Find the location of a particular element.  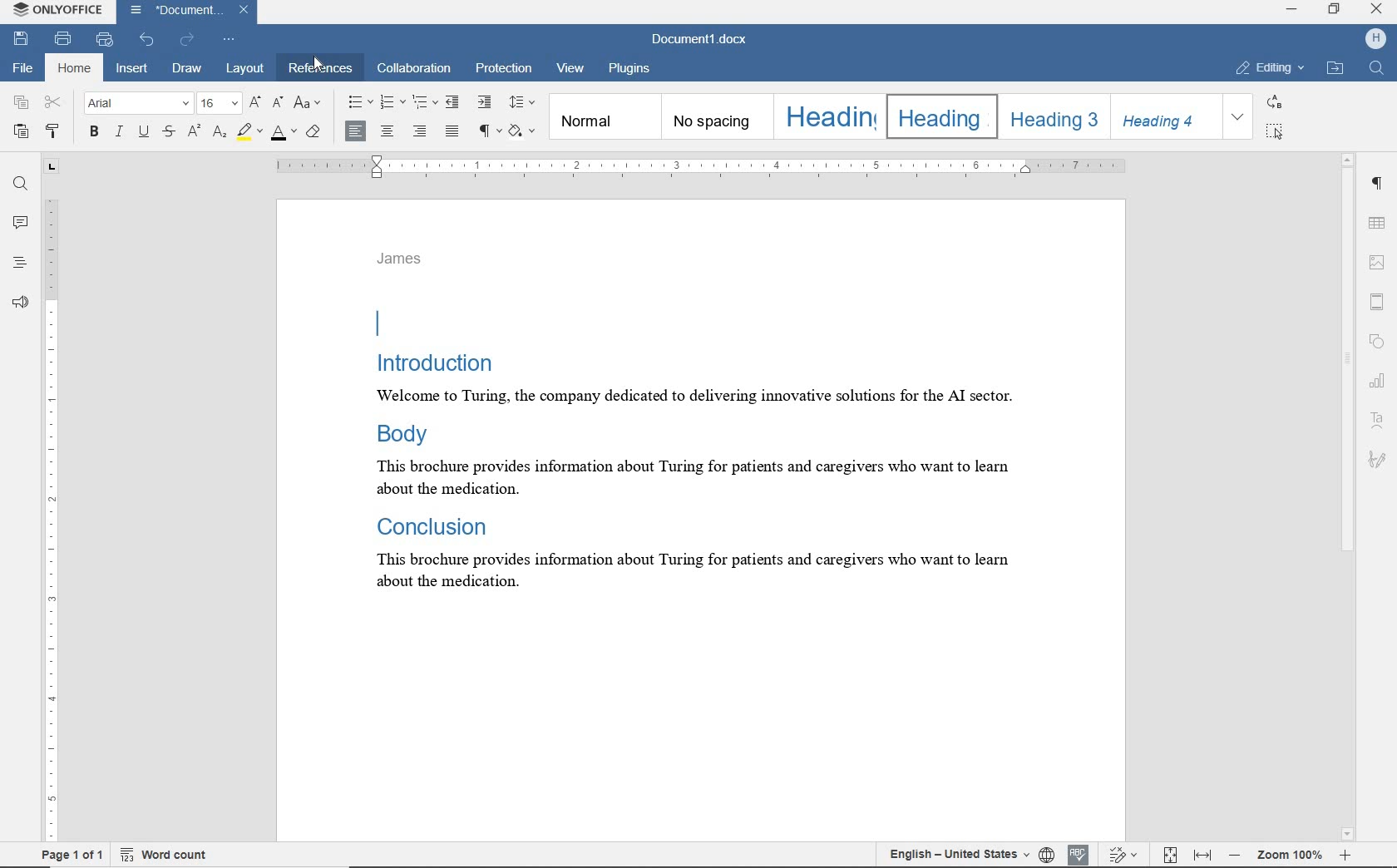

heading 3 is located at coordinates (1050, 119).